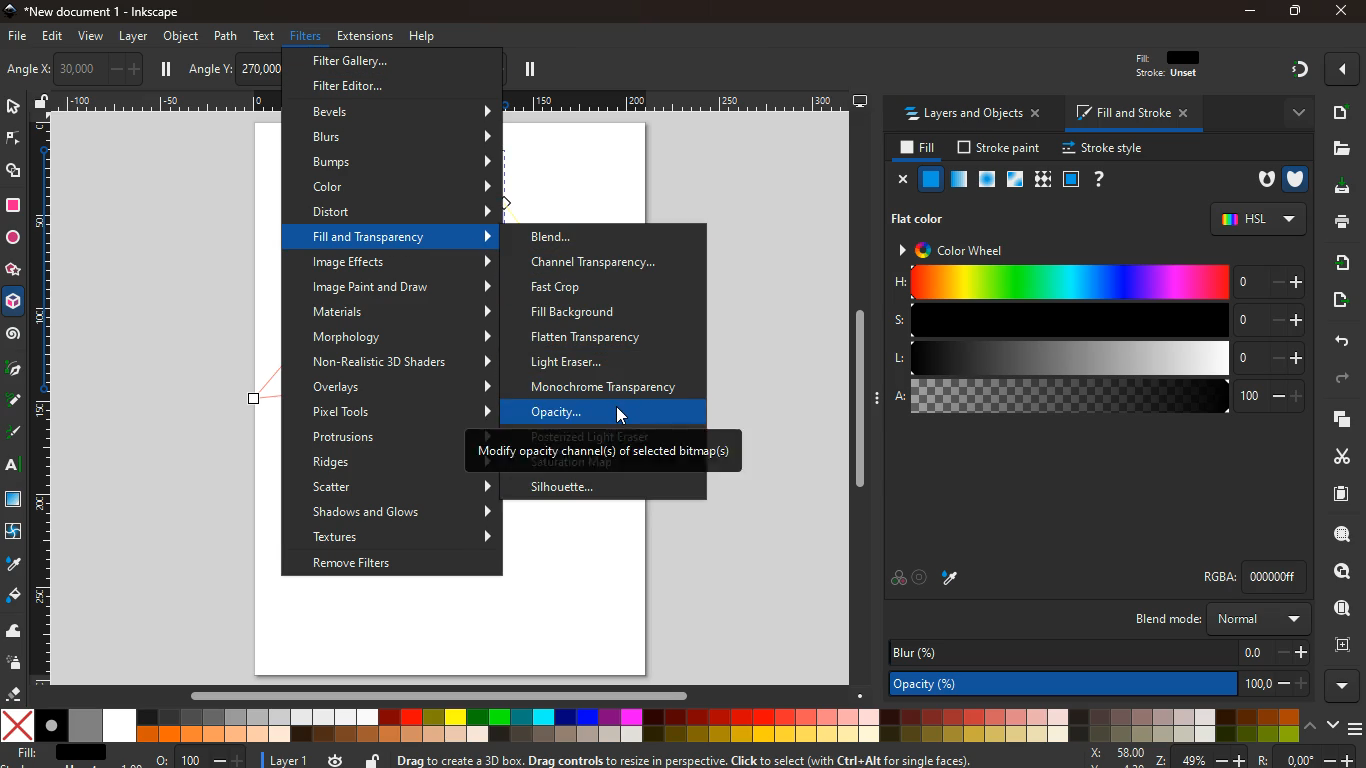 The height and width of the screenshot is (768, 1366). I want to click on minimize, so click(1250, 11).